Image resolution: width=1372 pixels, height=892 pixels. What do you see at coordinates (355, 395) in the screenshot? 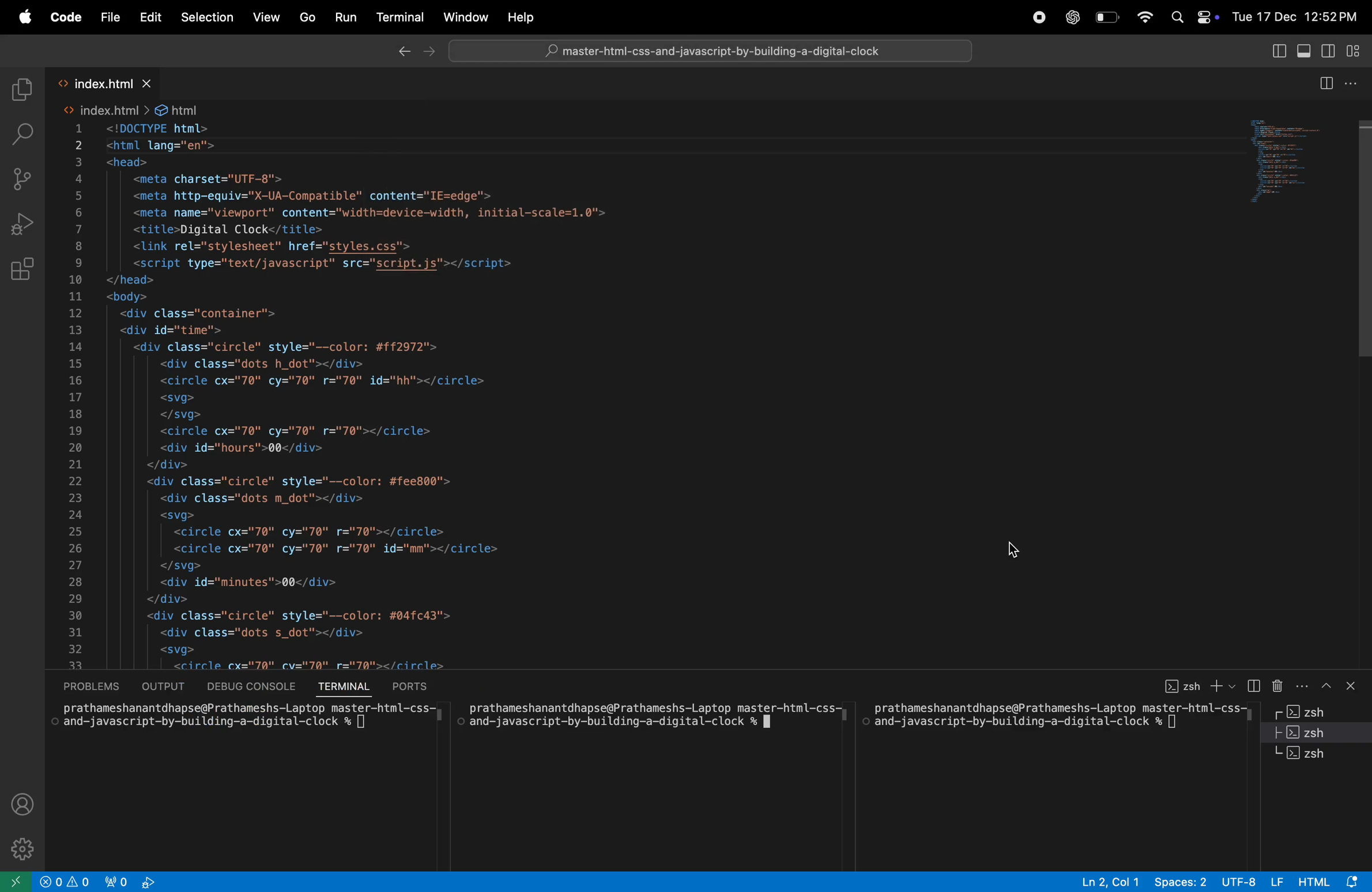
I see `<!DOCTYPE html>
<html lang="en">
<head>
<meta charset="UTF-8">
<meta http-equiv="X-UA-Compatible" content="IE=edge'>
<meta name="viewport" content="width=device-width, initial-scale=1.0">
<title>Digital Clock</title>
<link rel="stylesheet" href="styles.css">
<script type="text/javascript" src="script.js"></script>
</head>
<body>
<div class="container">
<div id="time">
<div class="circle" style="--color: #ff2972">
<div class="dots h_dot"></div>
<circle cx="70" cy="70" r="70" id="hh"></circle>
<svg>
</svg>
<circle cx="70" cy="70" r="70"></circle>
<div id="hours">00</div>
</div>
<div class="circle" style="--color: #fee800">
<div class="dots m_dot"></div>
<svg>
<circle cx="70" cy="70" r="70"></circle>
<circle cx="70" cy="70" r="70" id="mm"></circle>
</svg>
<div id="minutes">00</div>
</div>
<div class="circle" style="--color: #04fc43">
<div class="dots s_dot"></div>
<svg>
<circle cx="70" cy="70" r="70"></circle>
<circle cx="70" cy="70" r="70" id="ss"></circle>
</svg>
<div id="seconds">00</div>
</div>
<div class="ap">
<div id="ampm">AM</div>
</div>
</div>
</div>
</body>
</html>` at bounding box center [355, 395].